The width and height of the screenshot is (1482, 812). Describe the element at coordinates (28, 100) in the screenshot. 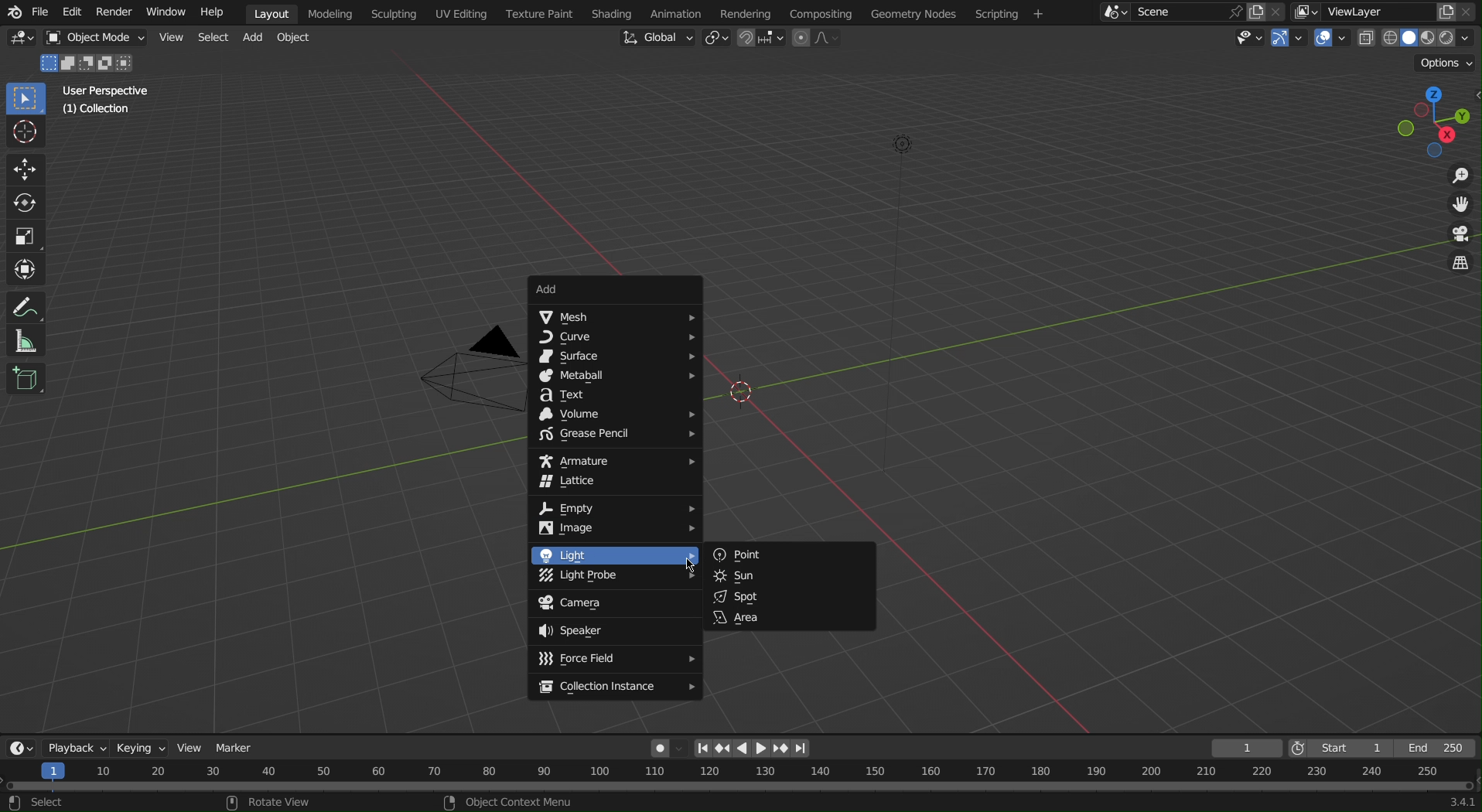

I see `Select Box` at that location.